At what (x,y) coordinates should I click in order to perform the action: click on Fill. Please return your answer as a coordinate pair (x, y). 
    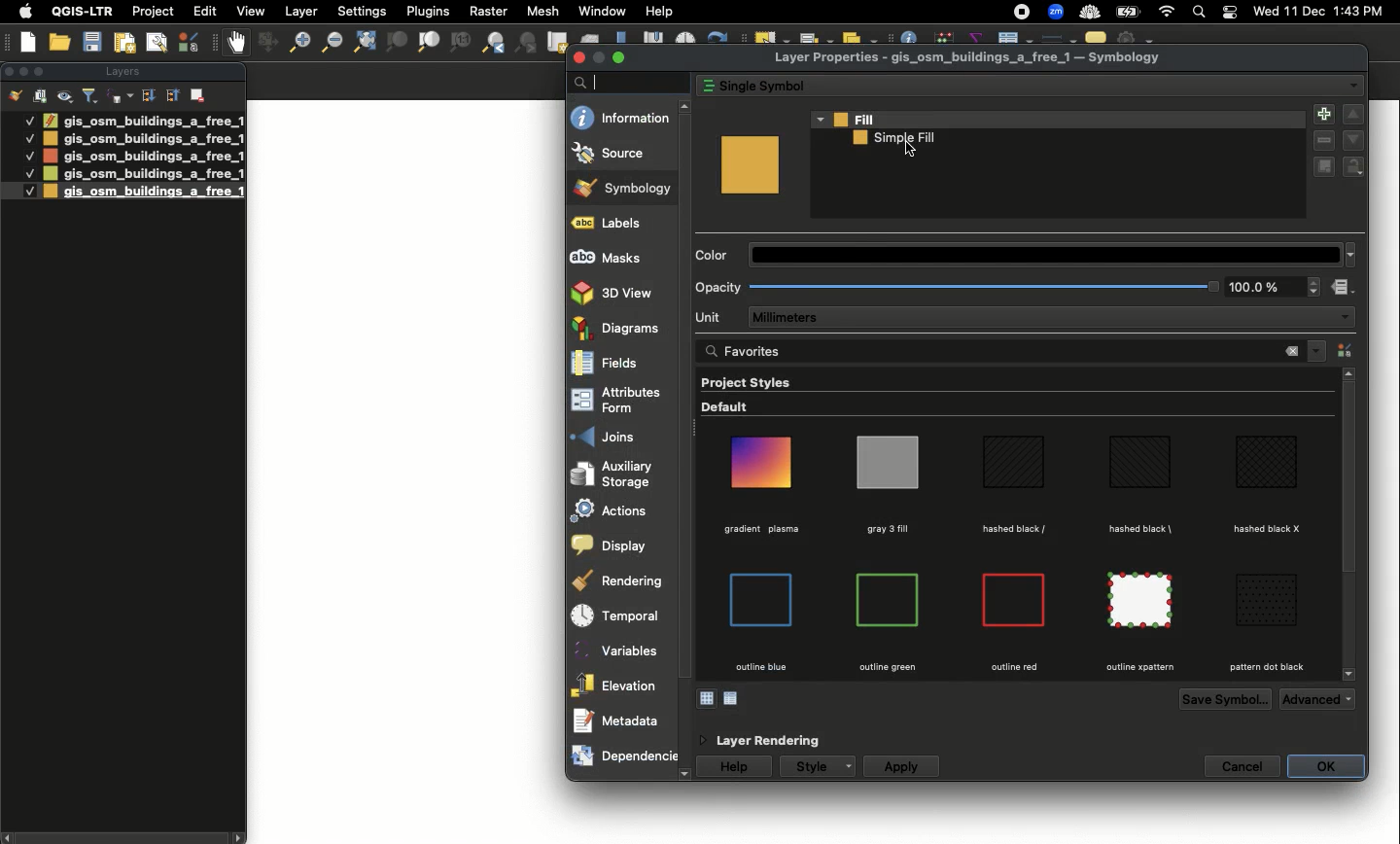
    Looking at the image, I should click on (1059, 120).